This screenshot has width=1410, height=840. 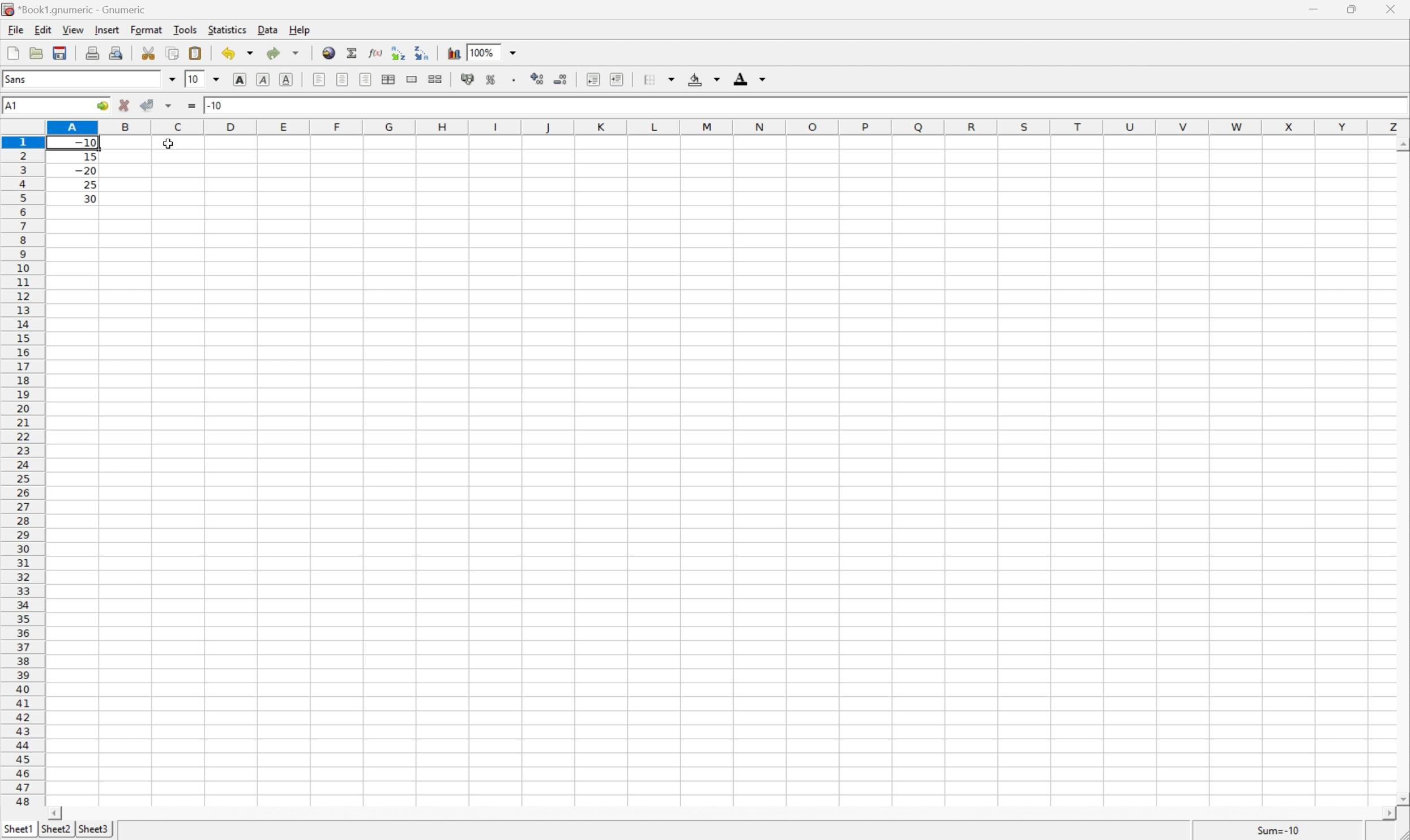 What do you see at coordinates (318, 78) in the screenshot?
I see `Align left` at bounding box center [318, 78].